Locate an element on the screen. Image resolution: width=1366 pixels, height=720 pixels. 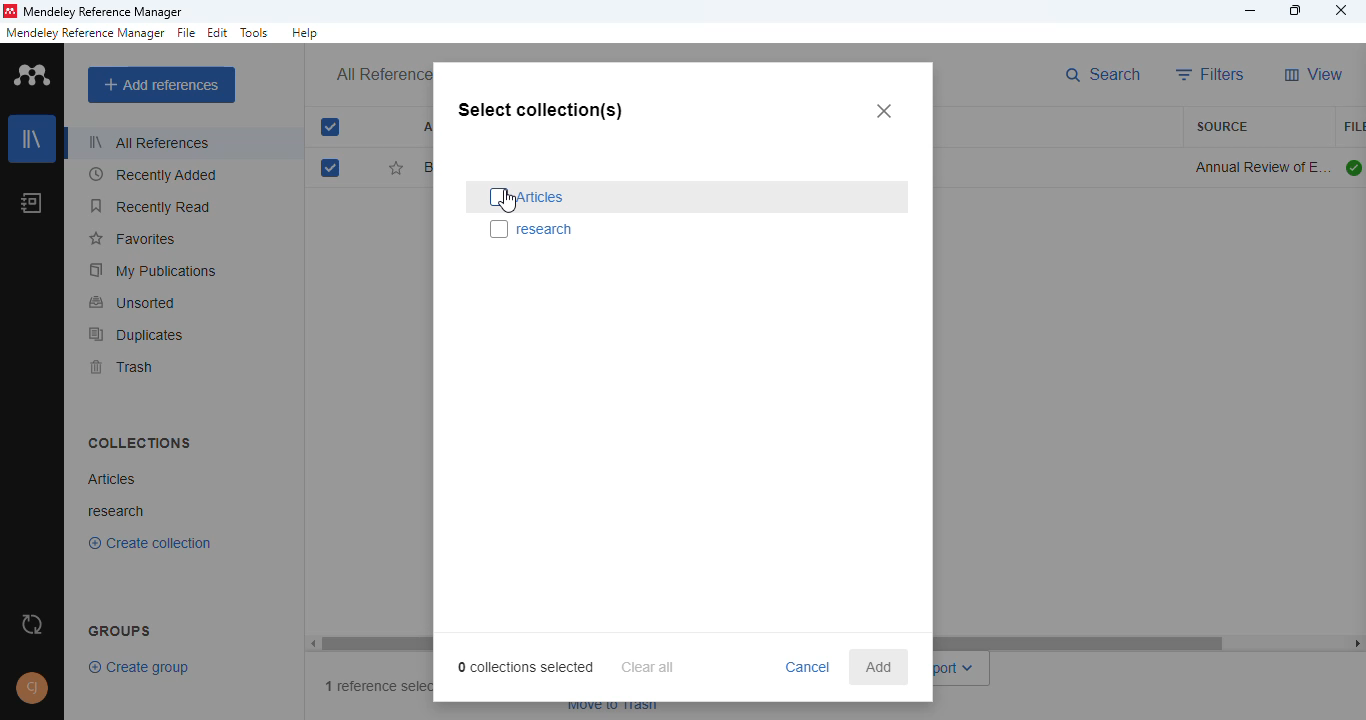
my publications is located at coordinates (153, 271).